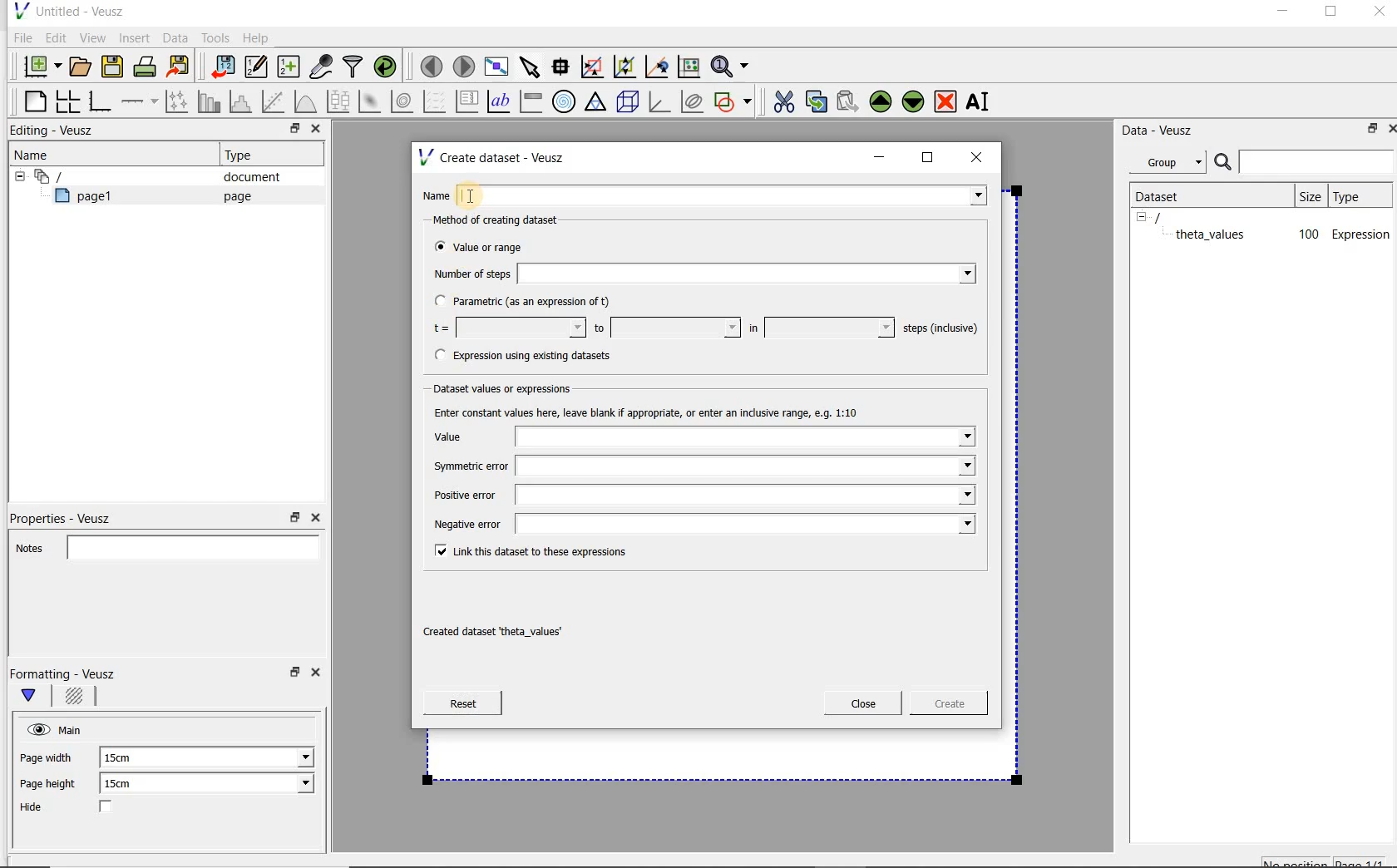  Describe the element at coordinates (914, 101) in the screenshot. I see `Move the selected widget down` at that location.